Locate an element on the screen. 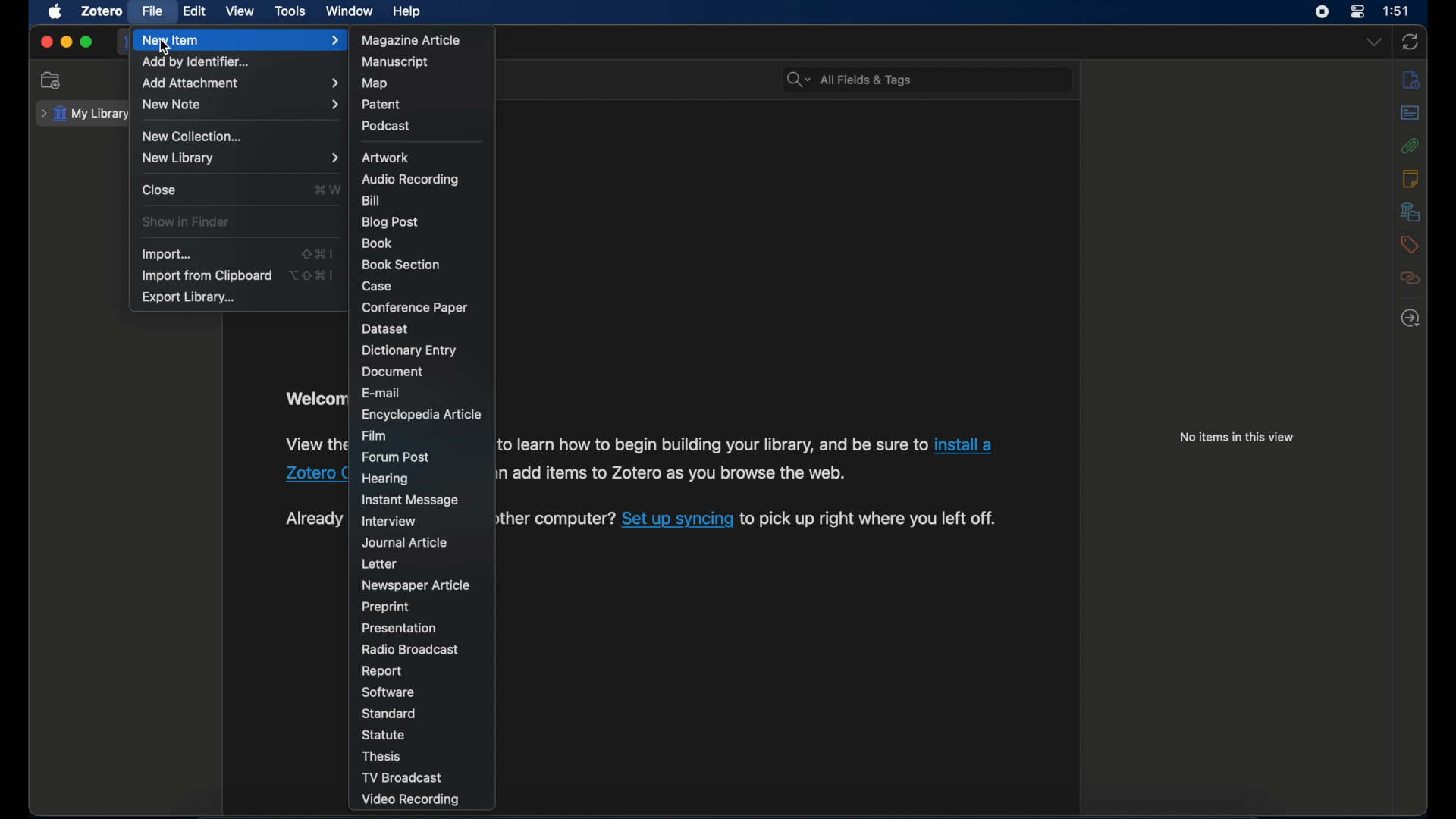  other computer? is located at coordinates (556, 519).